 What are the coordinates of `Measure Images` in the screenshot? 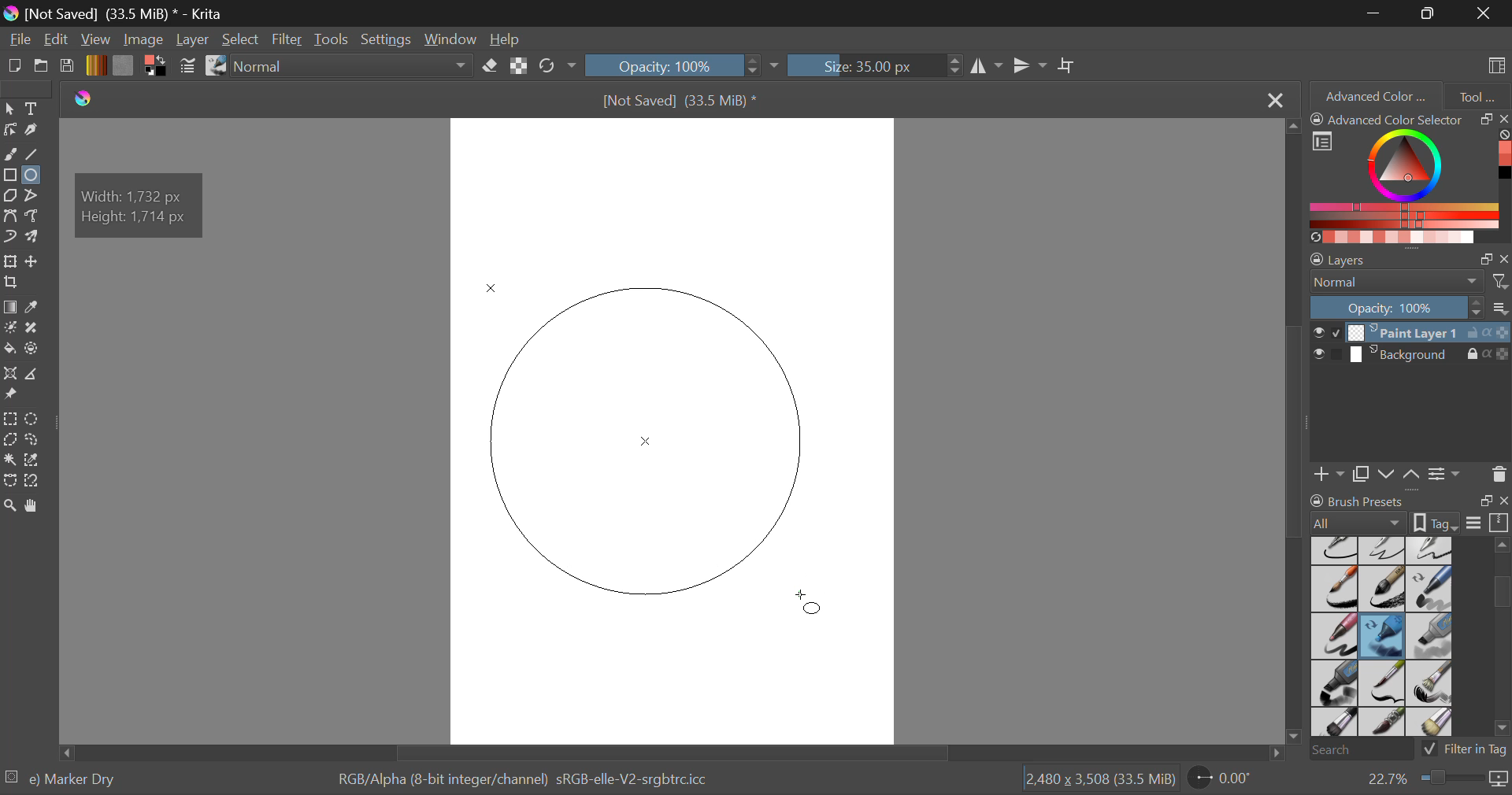 It's located at (34, 376).